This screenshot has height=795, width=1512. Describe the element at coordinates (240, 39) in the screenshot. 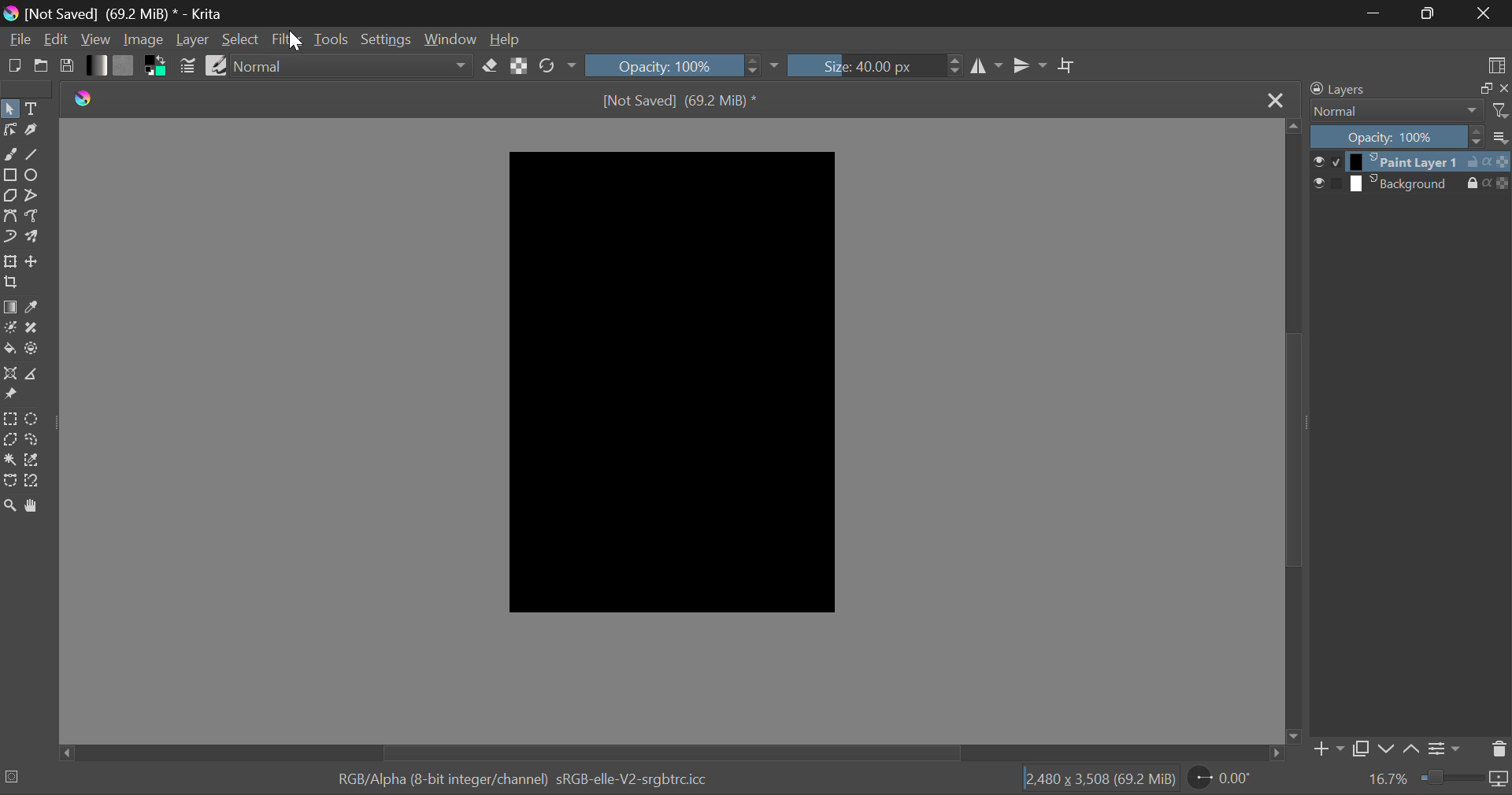

I see `Select` at that location.